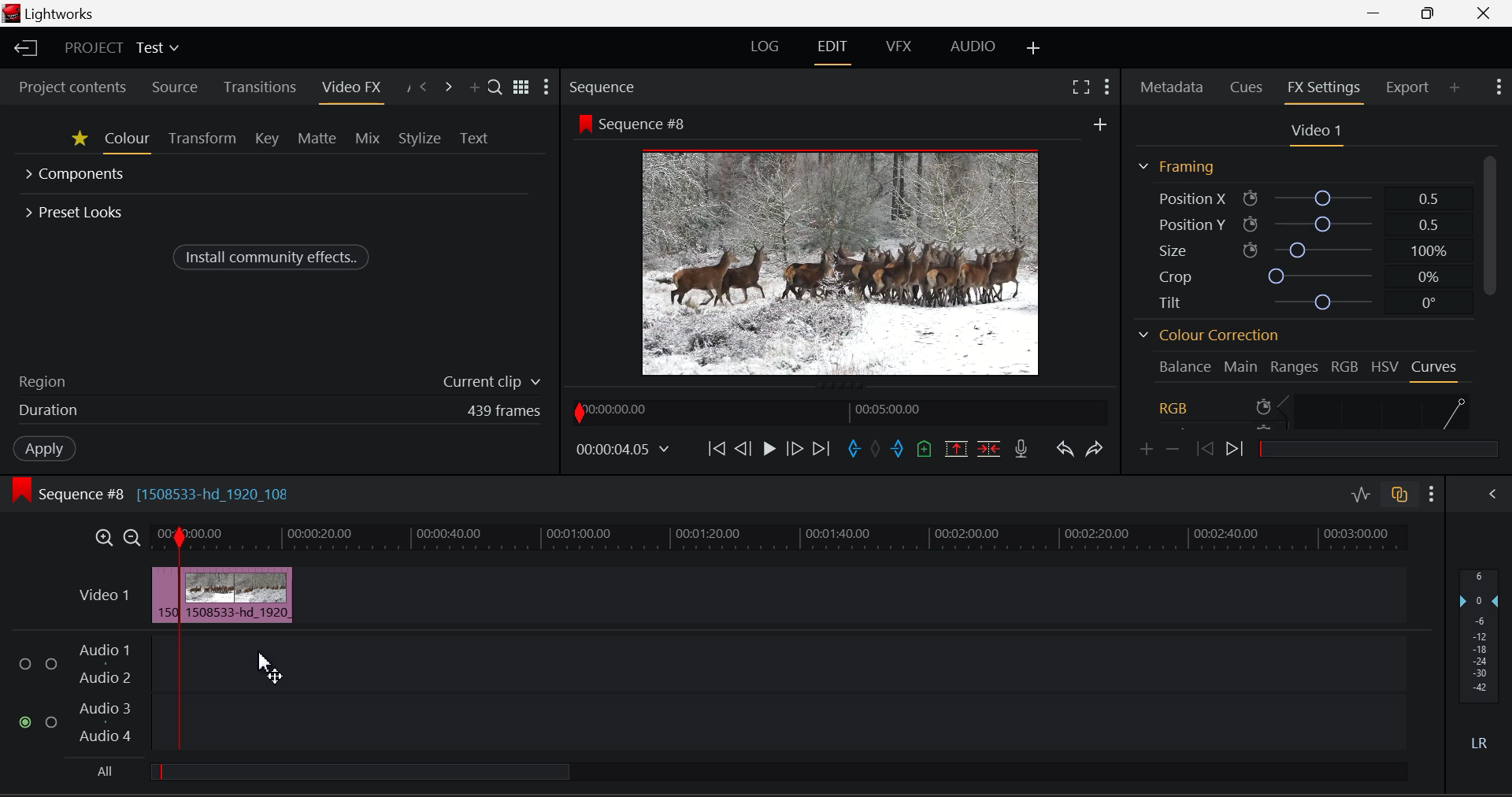 This screenshot has height=797, width=1512. What do you see at coordinates (1065, 451) in the screenshot?
I see `Undo` at bounding box center [1065, 451].